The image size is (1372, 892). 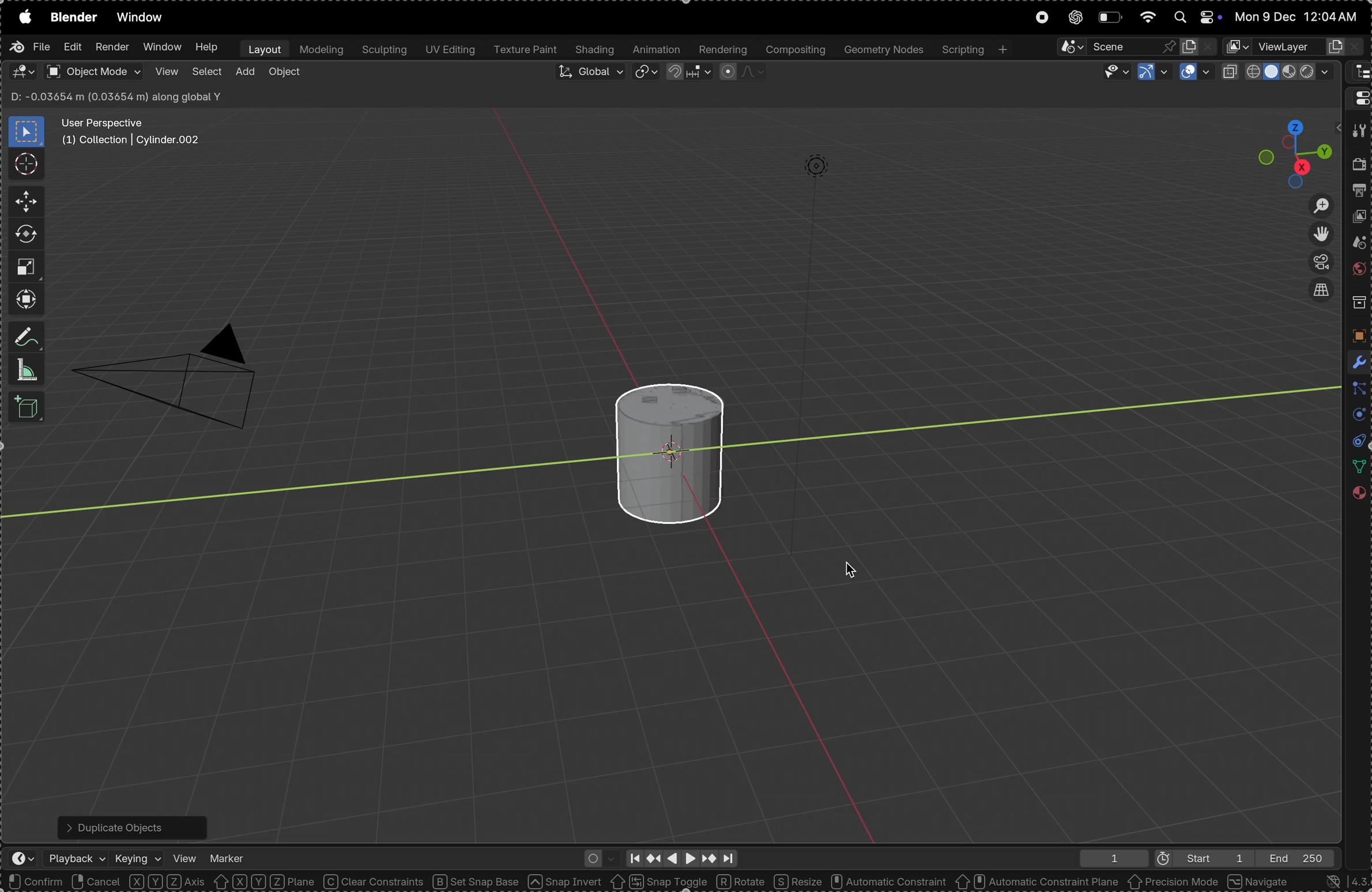 I want to click on Pan view, so click(x=138, y=882).